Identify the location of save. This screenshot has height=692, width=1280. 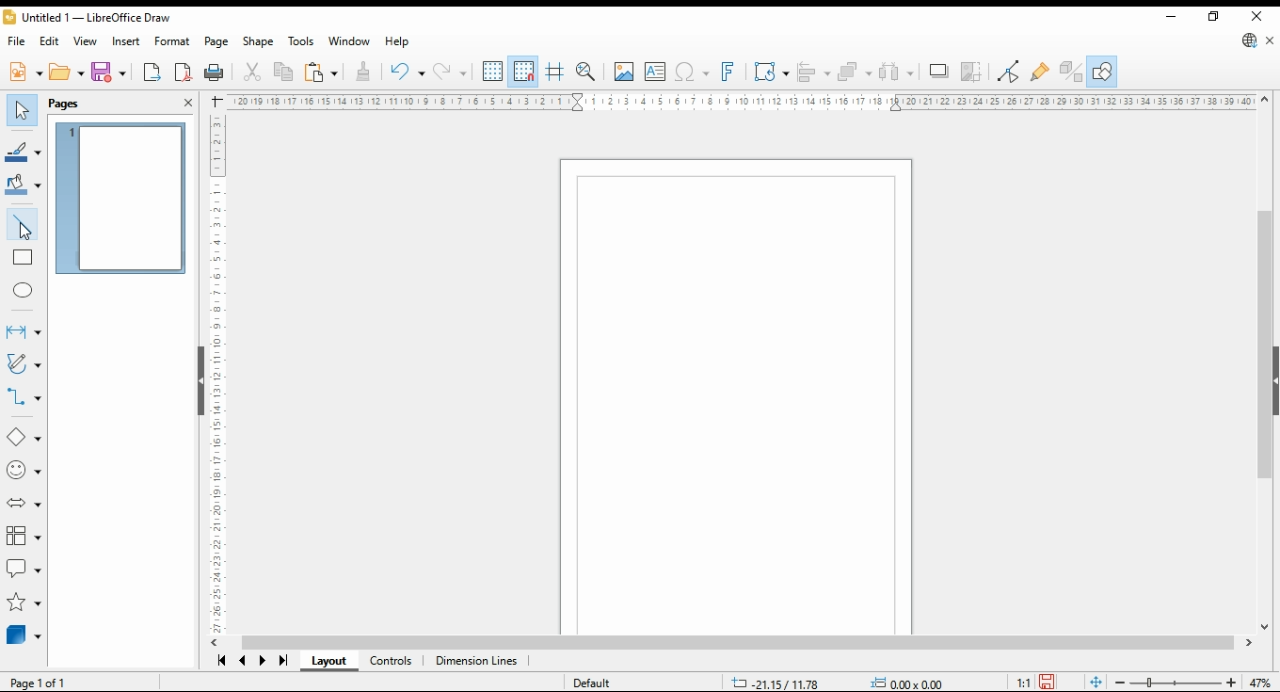
(1046, 682).